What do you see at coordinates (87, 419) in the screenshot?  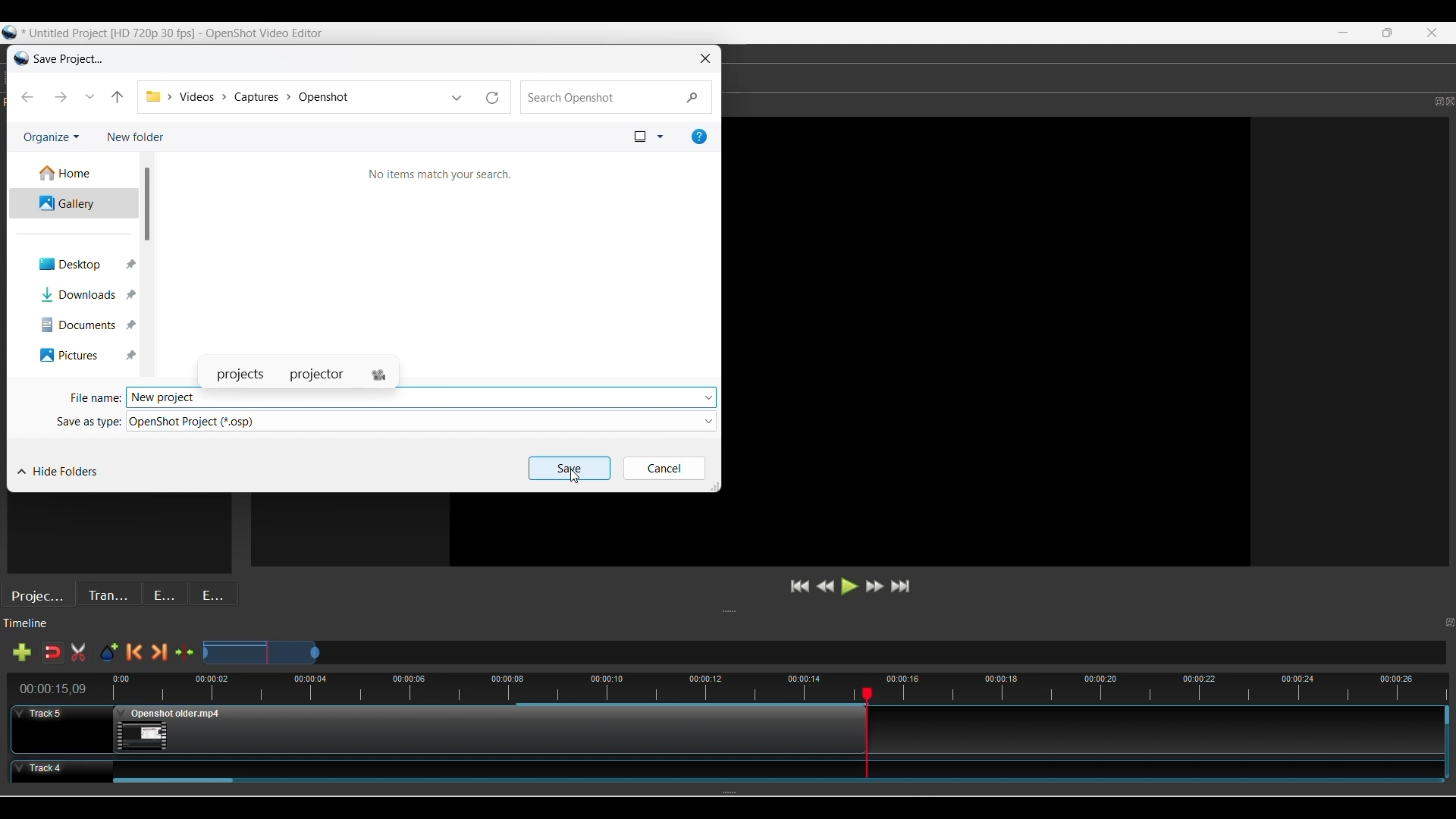 I see `Save as type` at bounding box center [87, 419].